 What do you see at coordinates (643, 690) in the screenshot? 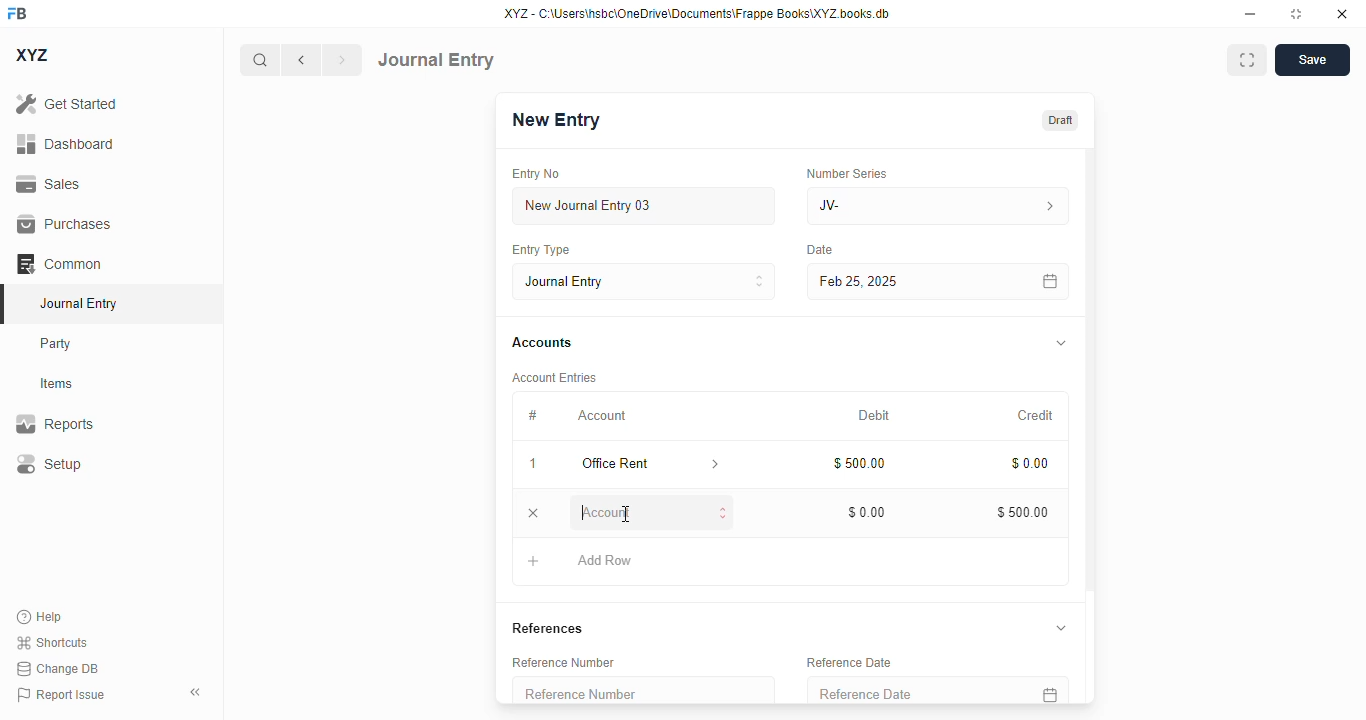
I see `reference number` at bounding box center [643, 690].